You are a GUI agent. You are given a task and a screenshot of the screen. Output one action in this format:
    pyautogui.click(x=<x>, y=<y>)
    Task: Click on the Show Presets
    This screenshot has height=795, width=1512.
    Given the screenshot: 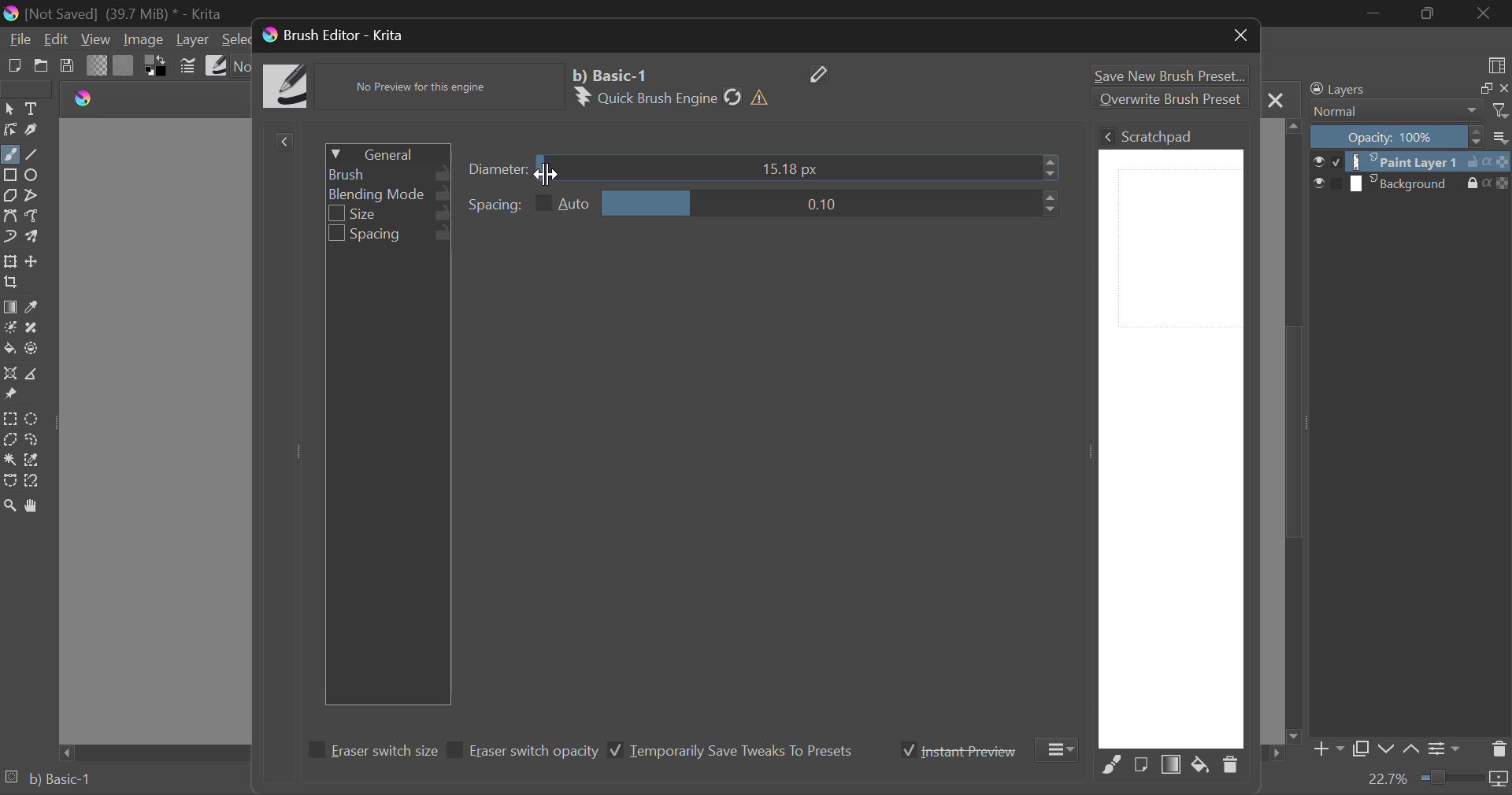 What is the action you would take?
    pyautogui.click(x=283, y=142)
    